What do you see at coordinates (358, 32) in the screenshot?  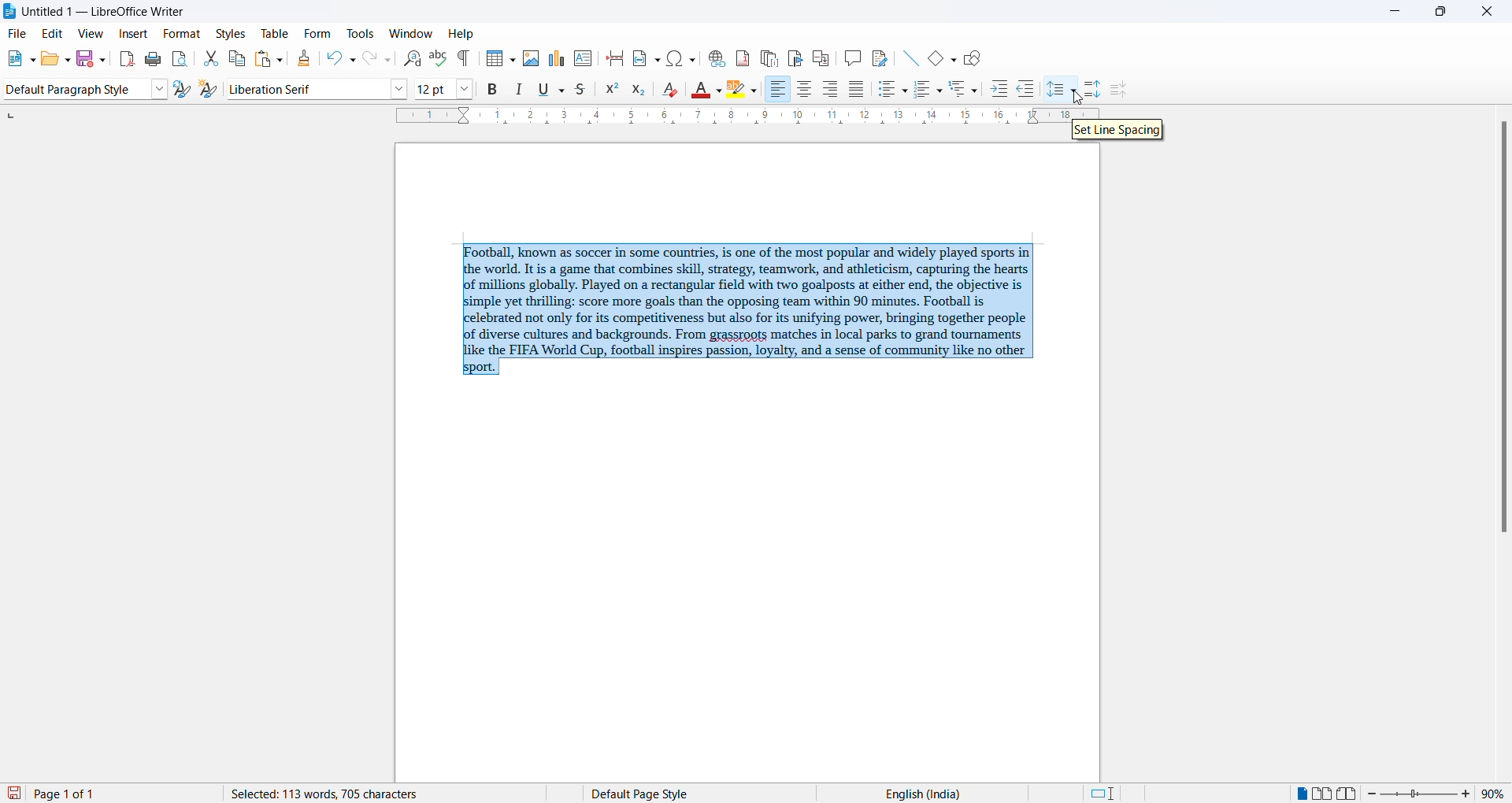 I see `tools` at bounding box center [358, 32].